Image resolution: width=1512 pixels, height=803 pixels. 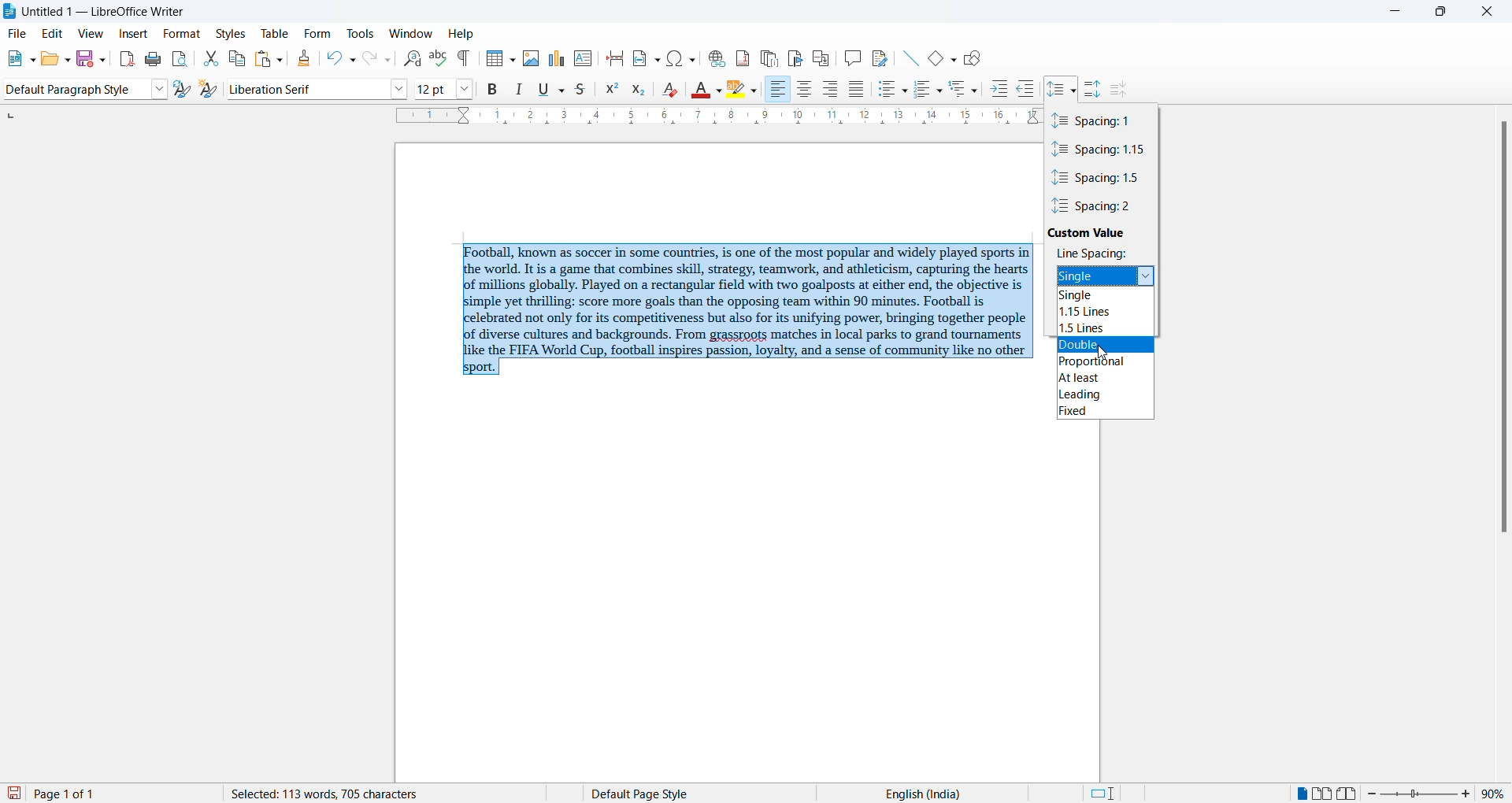 What do you see at coordinates (644, 59) in the screenshot?
I see `insert field` at bounding box center [644, 59].